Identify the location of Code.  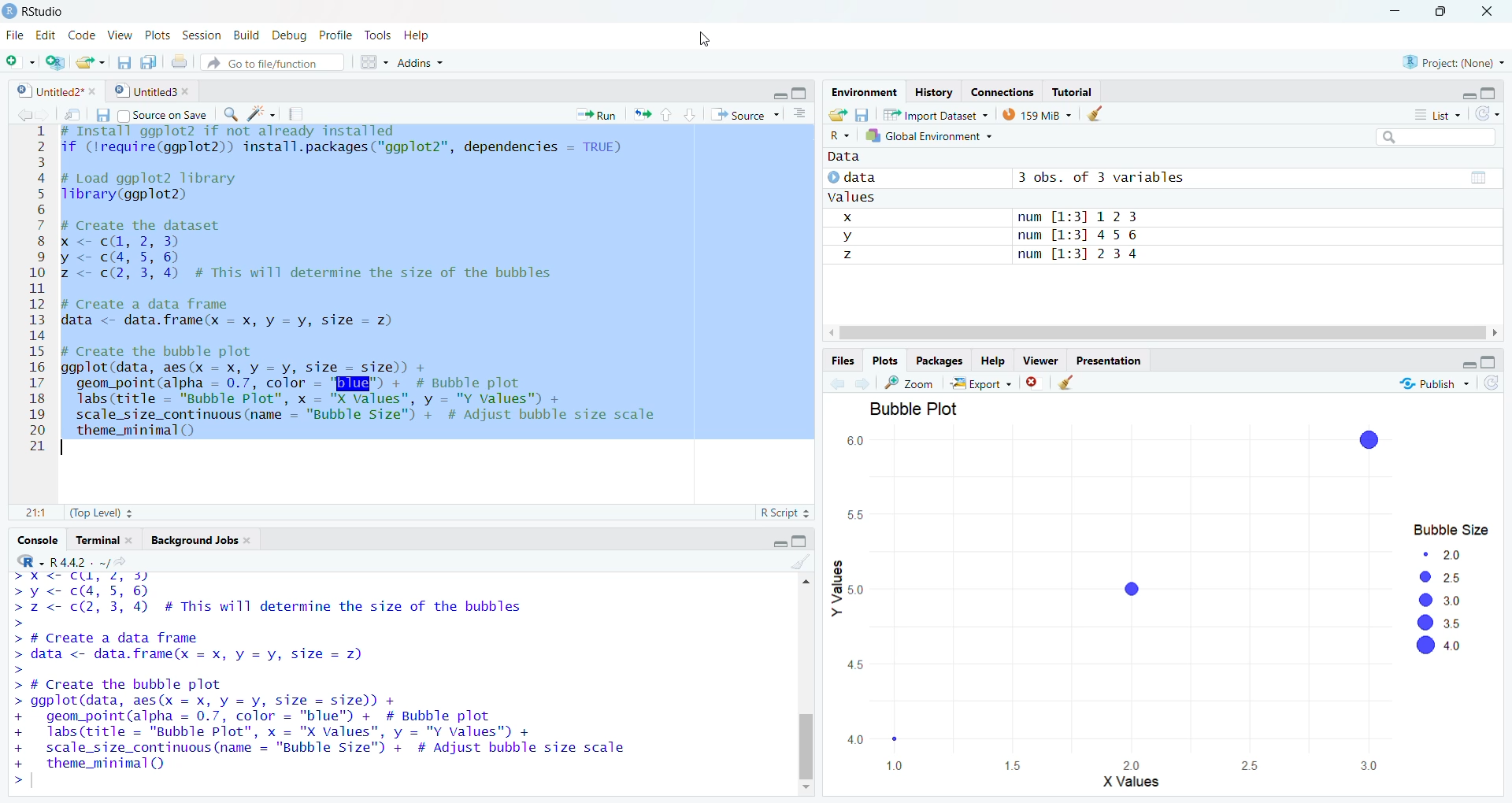
(83, 36).